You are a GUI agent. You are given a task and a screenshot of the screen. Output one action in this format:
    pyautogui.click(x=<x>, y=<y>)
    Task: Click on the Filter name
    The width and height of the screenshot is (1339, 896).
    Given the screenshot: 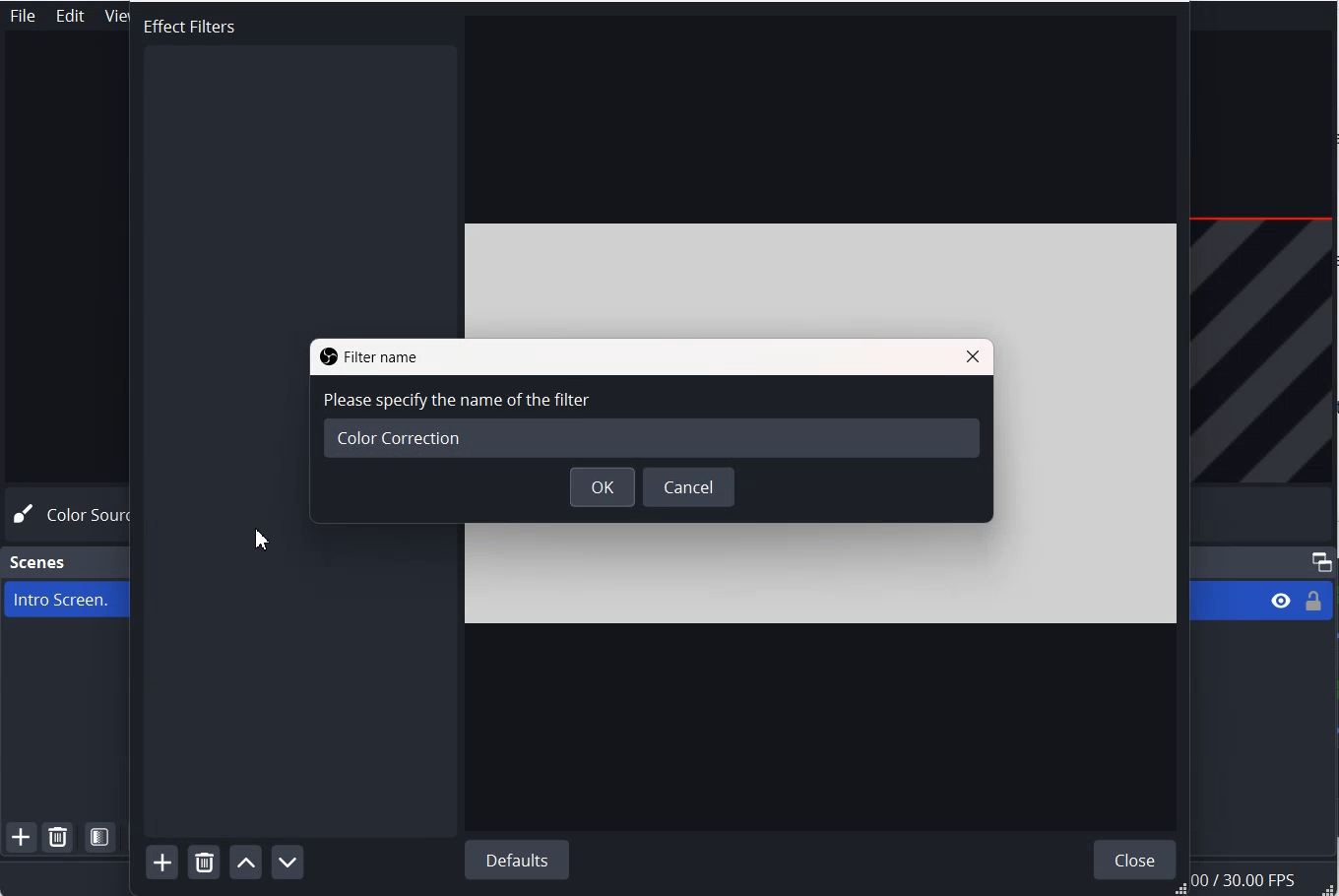 What is the action you would take?
    pyautogui.click(x=366, y=356)
    